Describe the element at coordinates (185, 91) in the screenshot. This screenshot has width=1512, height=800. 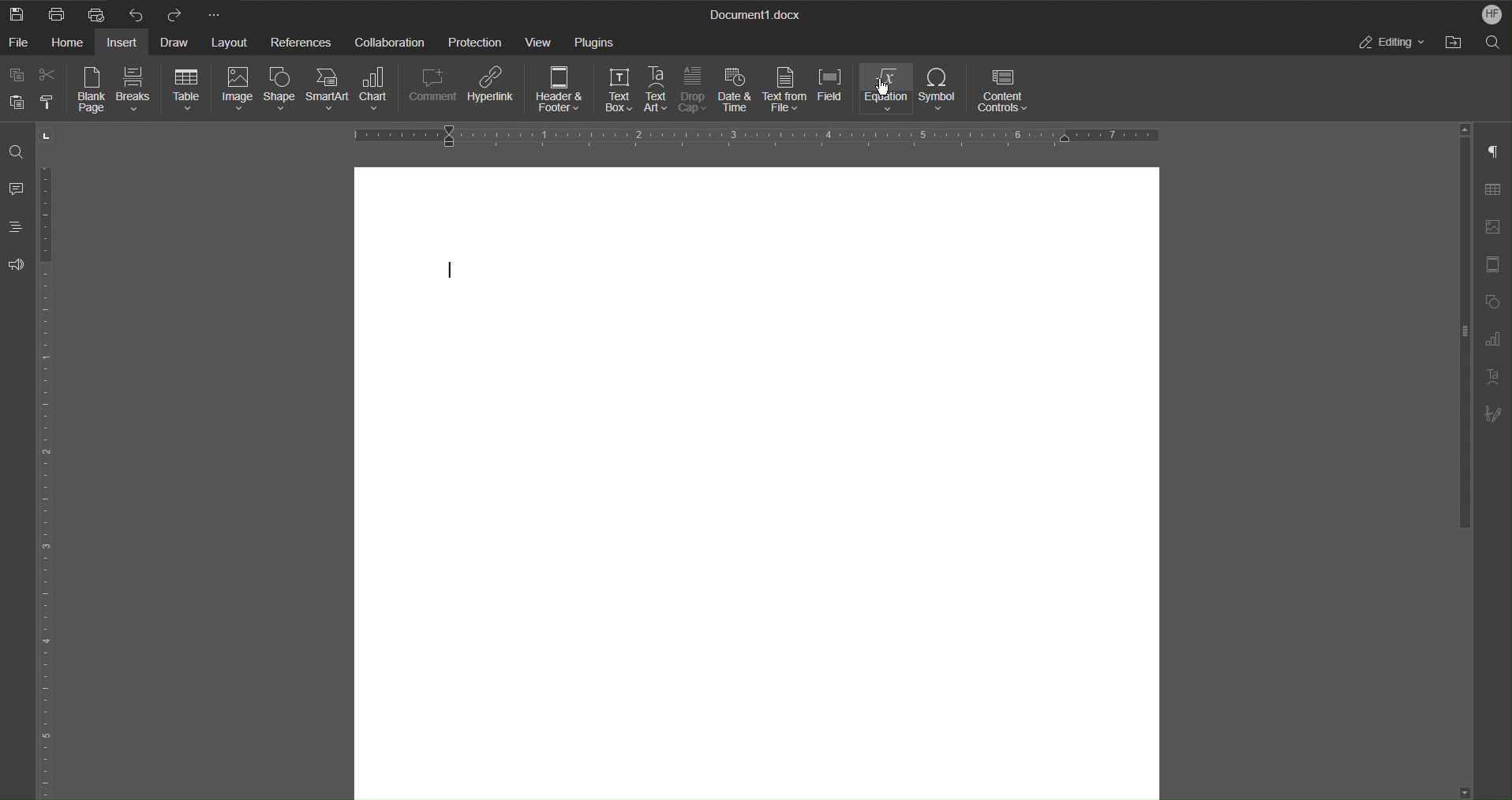
I see `Table` at that location.